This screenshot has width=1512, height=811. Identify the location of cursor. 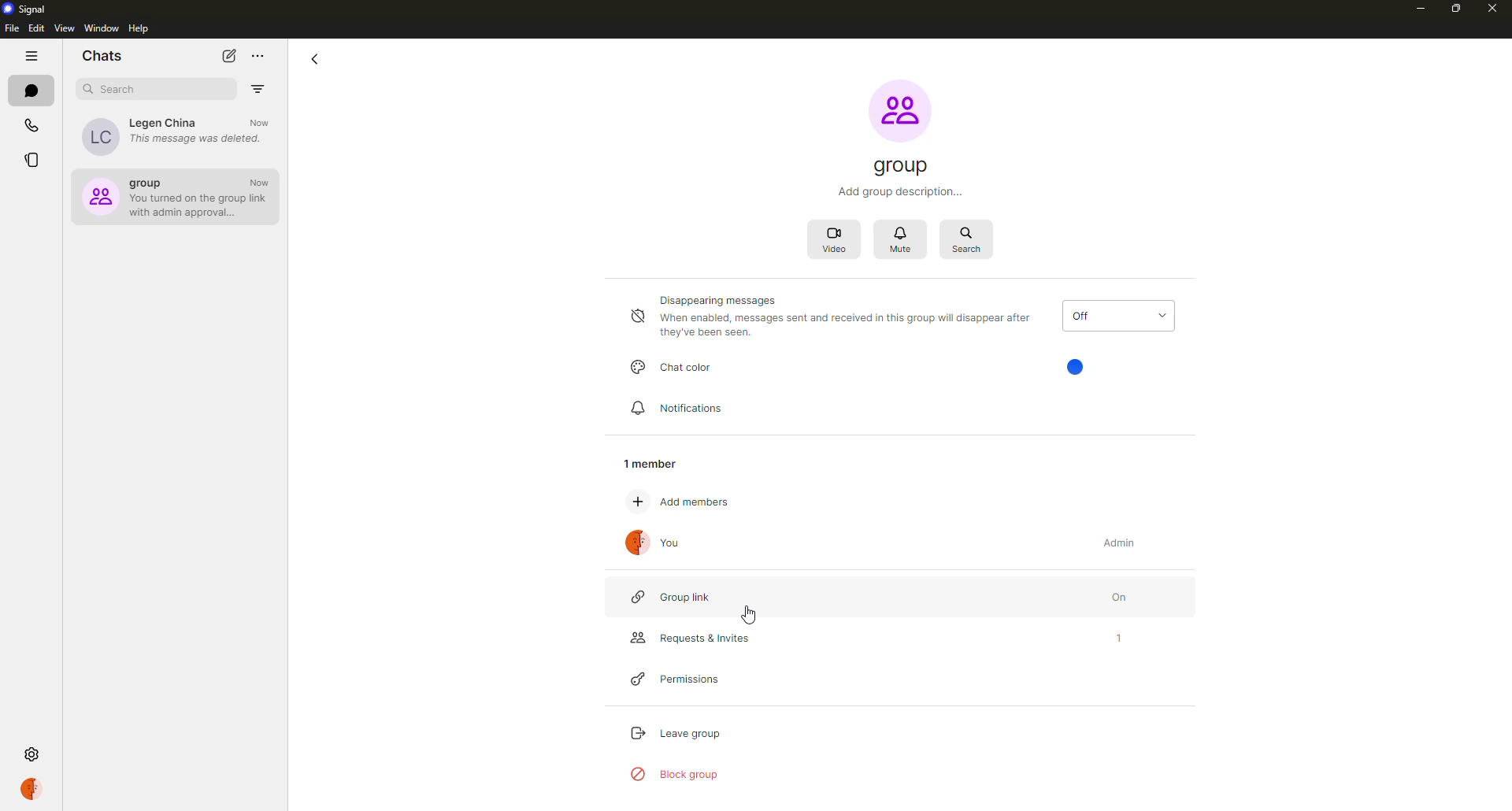
(749, 618).